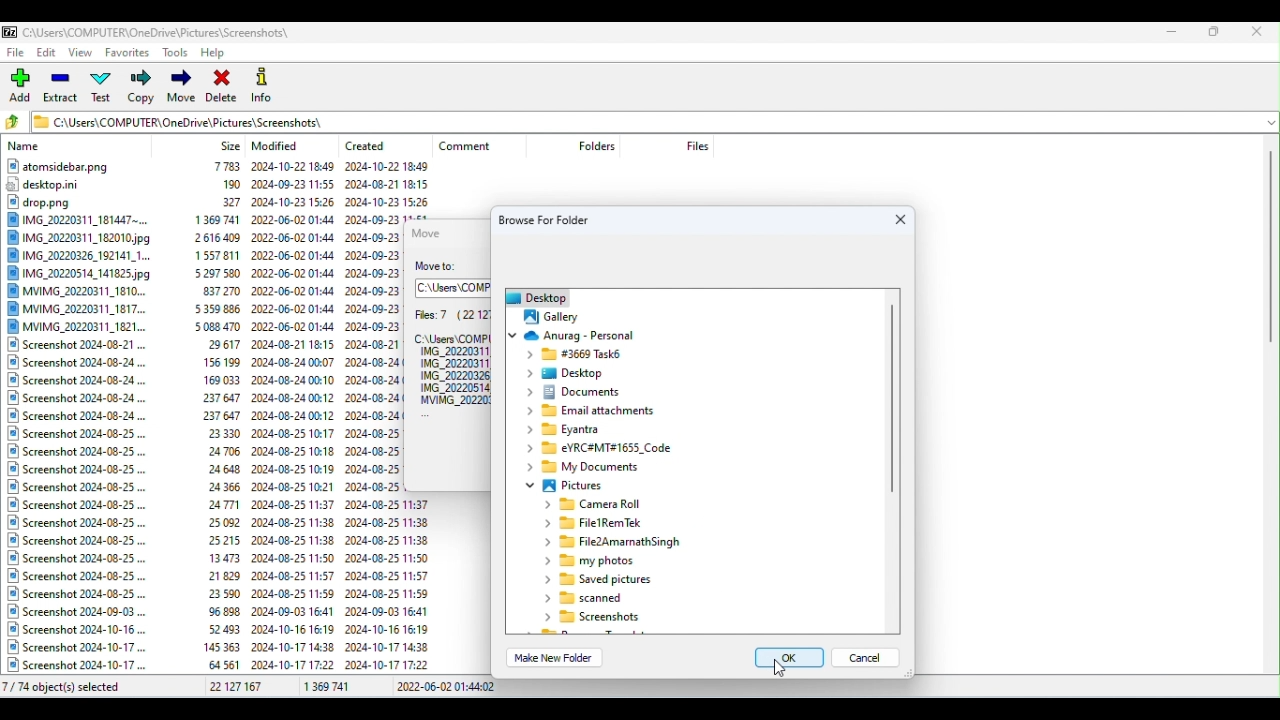 The height and width of the screenshot is (720, 1280). What do you see at coordinates (17, 52) in the screenshot?
I see `File` at bounding box center [17, 52].